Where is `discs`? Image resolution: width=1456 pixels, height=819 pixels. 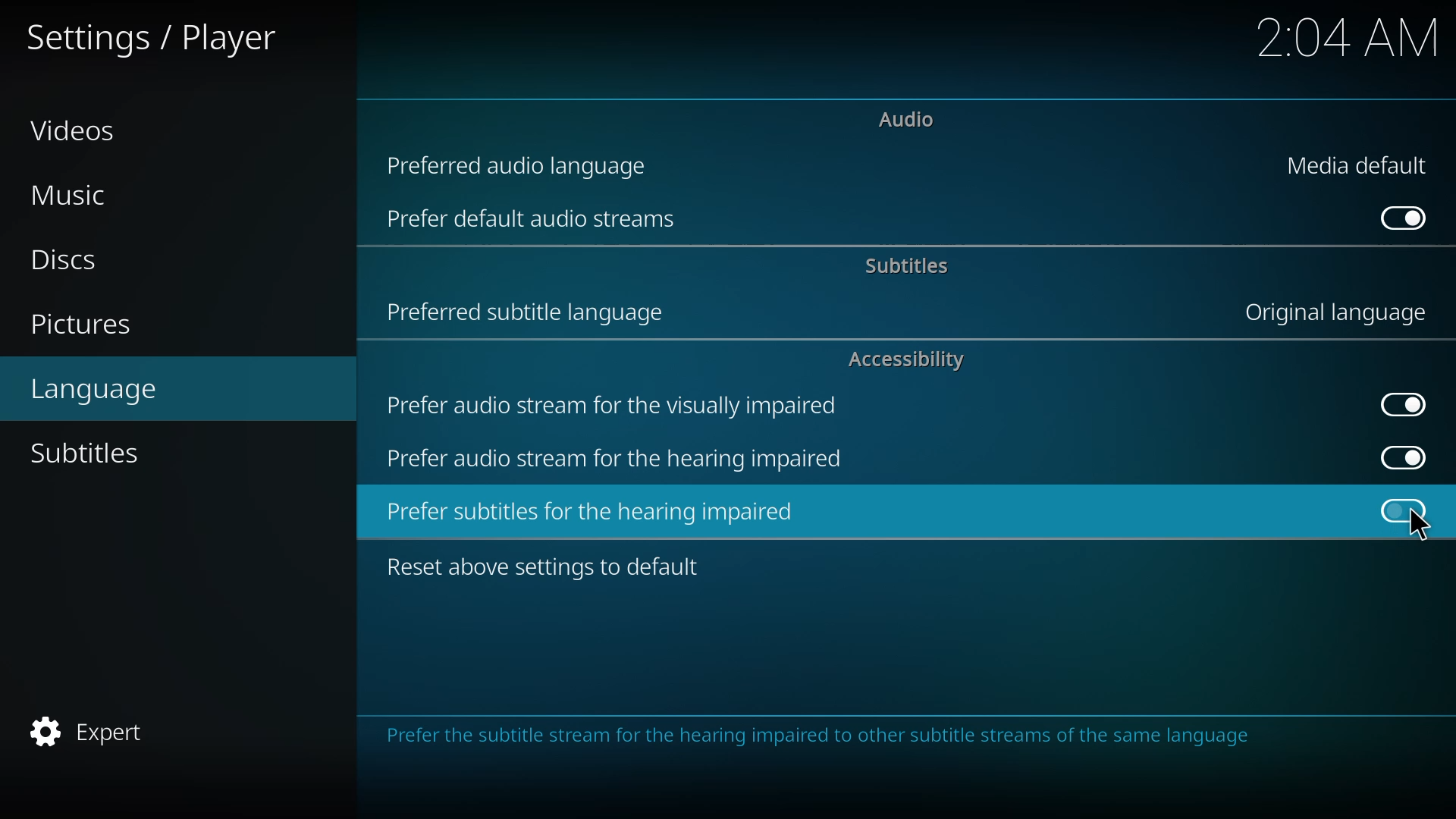
discs is located at coordinates (58, 262).